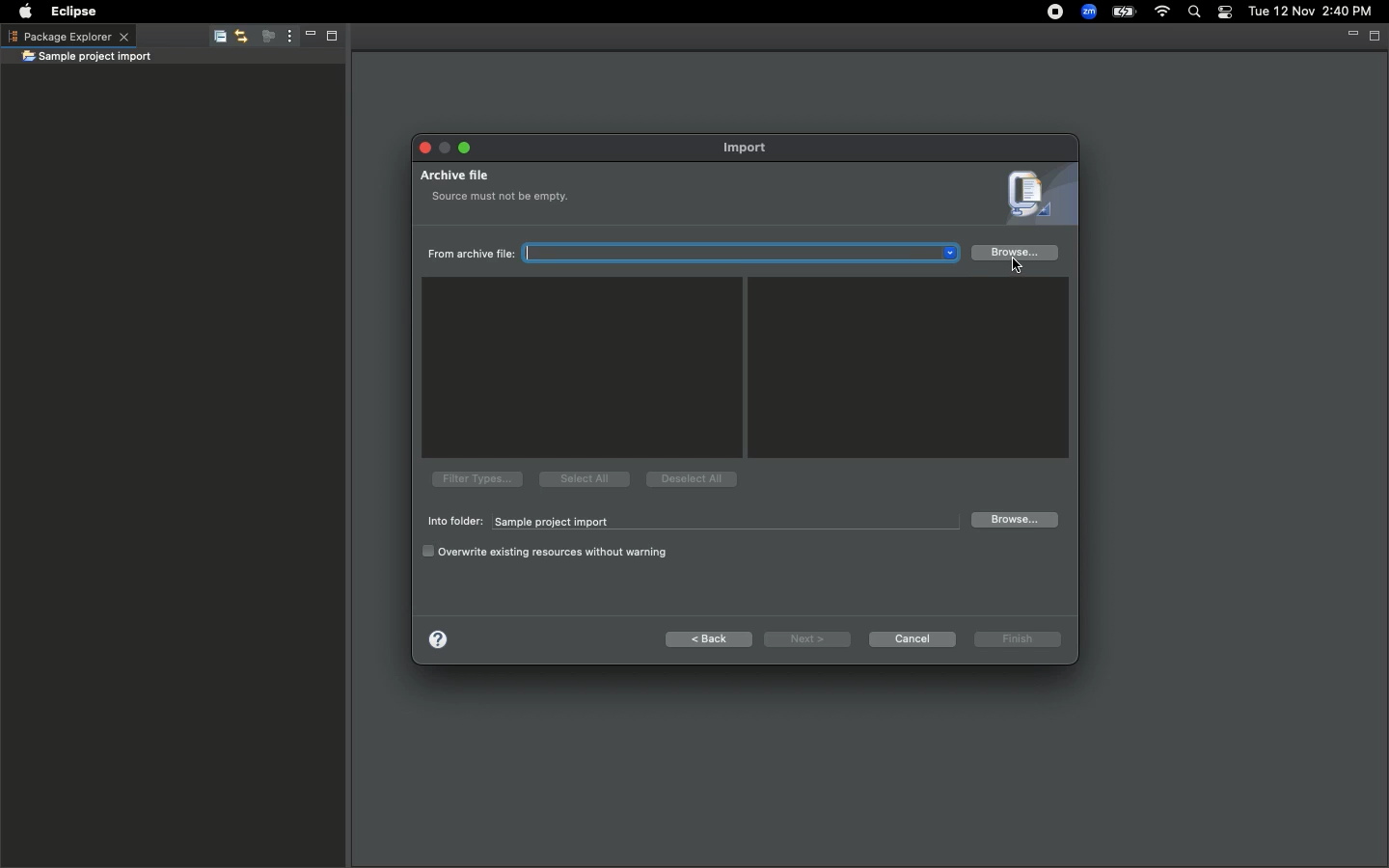 The height and width of the screenshot is (868, 1389). What do you see at coordinates (912, 638) in the screenshot?
I see `Cancel` at bounding box center [912, 638].